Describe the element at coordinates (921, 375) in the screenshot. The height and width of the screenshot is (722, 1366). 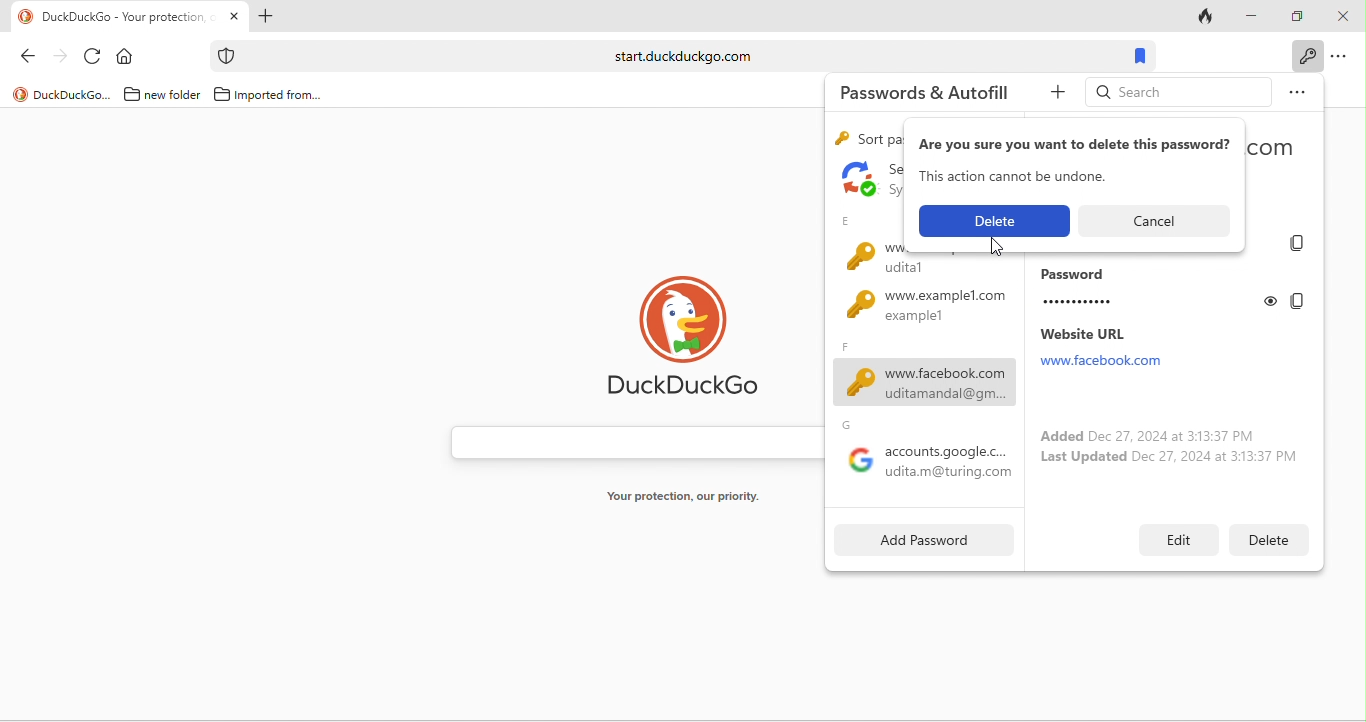
I see `www.facebook.com` at that location.